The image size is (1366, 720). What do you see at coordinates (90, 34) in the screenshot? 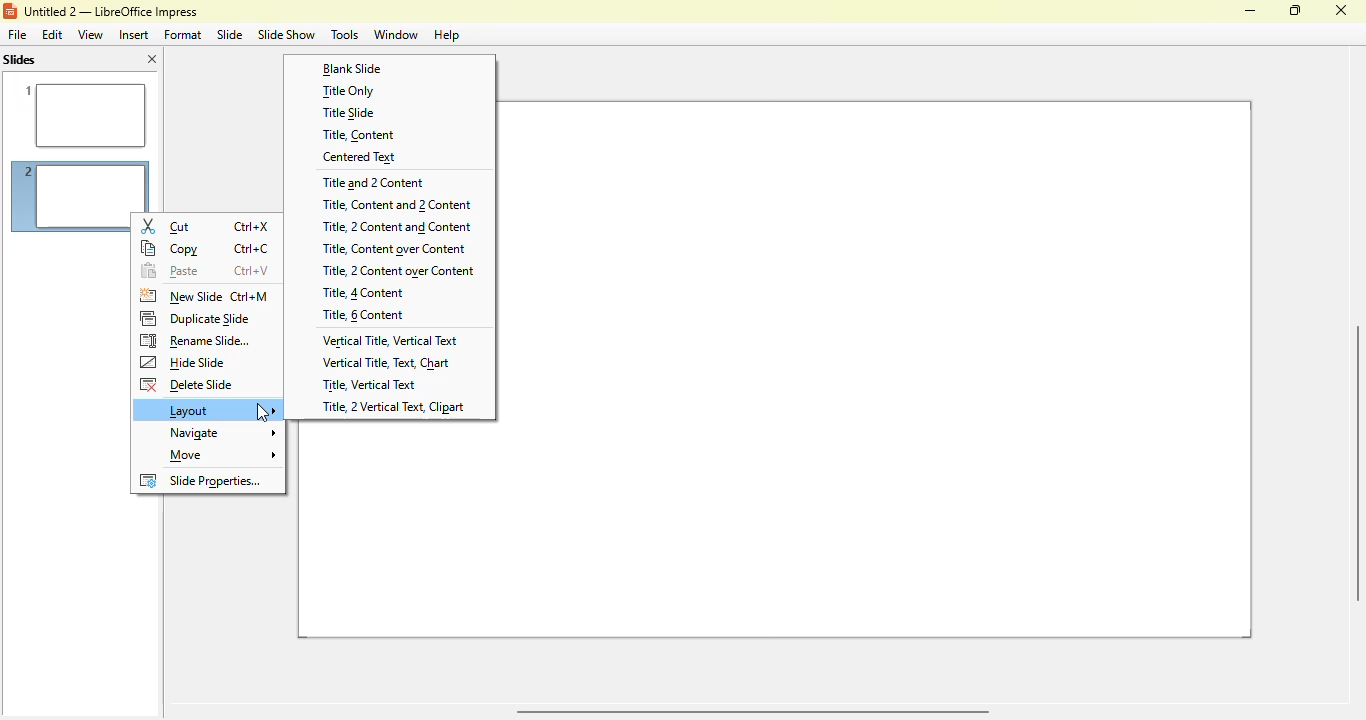
I see `view` at bounding box center [90, 34].